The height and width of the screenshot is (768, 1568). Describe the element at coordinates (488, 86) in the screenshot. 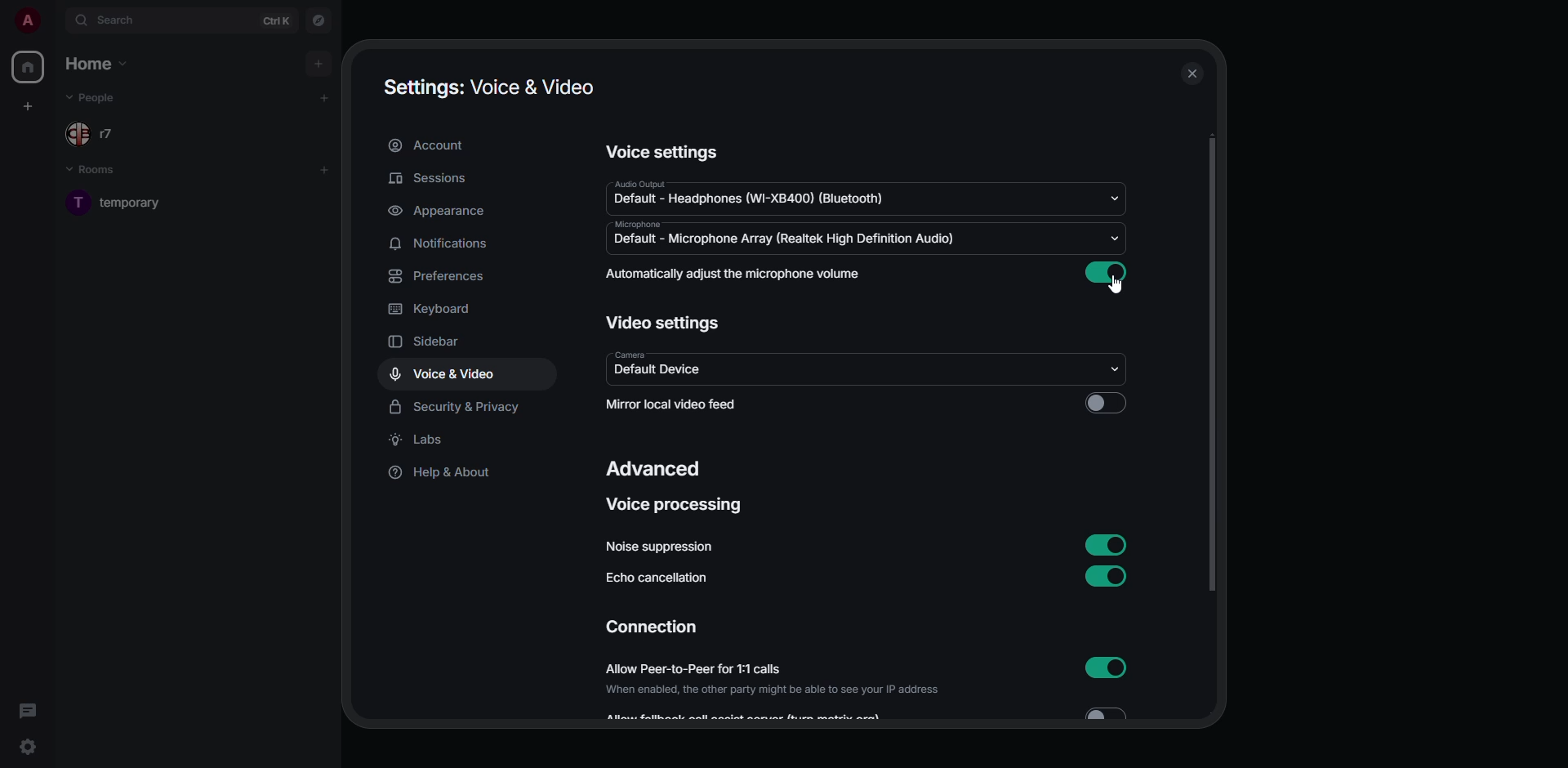

I see `settings voice & video` at that location.